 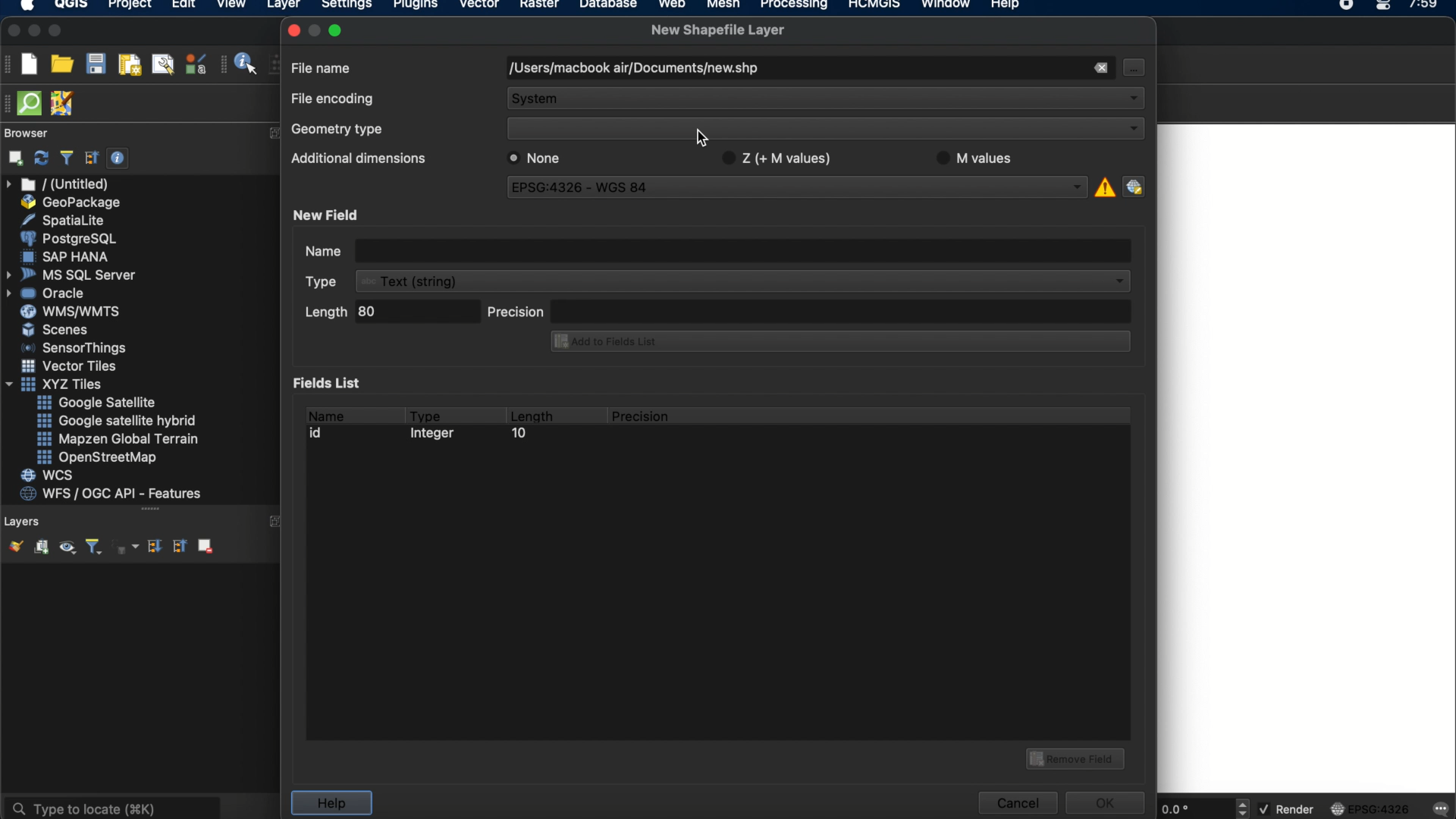 I want to click on ok, so click(x=1107, y=801).